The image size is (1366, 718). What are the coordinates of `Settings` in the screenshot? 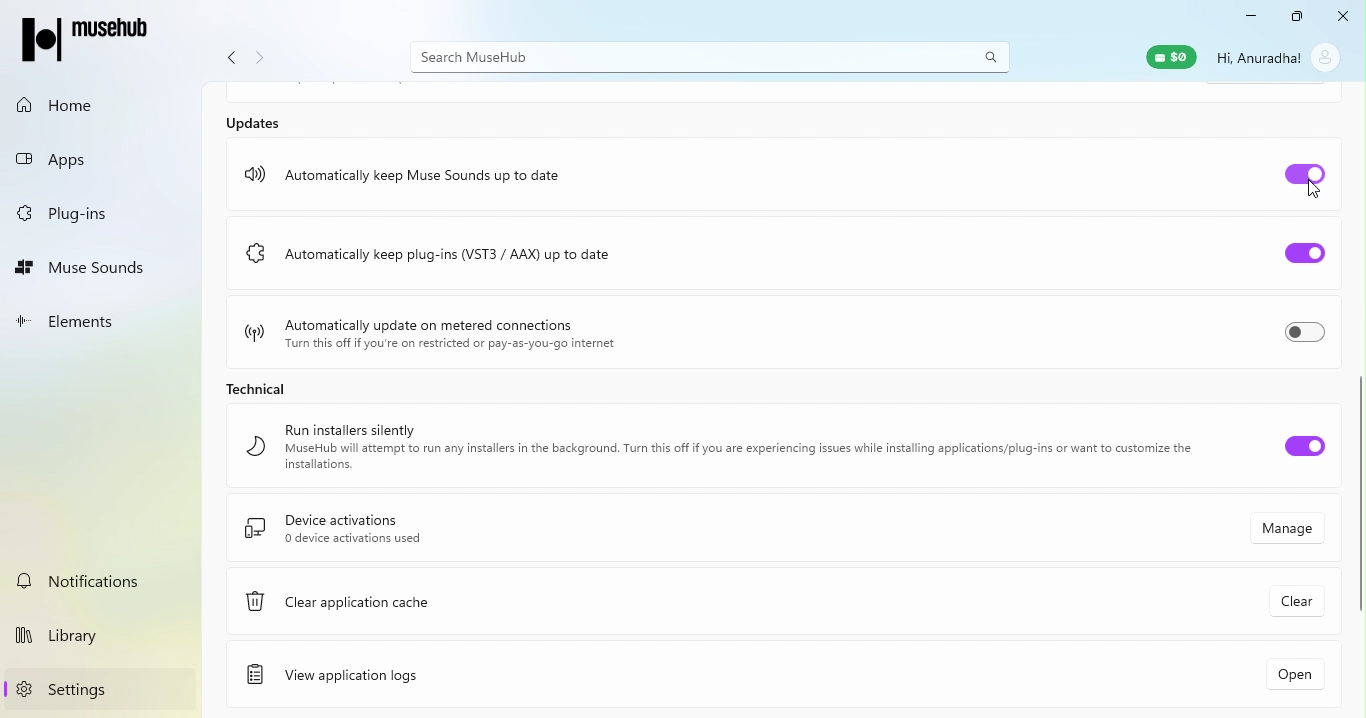 It's located at (106, 689).